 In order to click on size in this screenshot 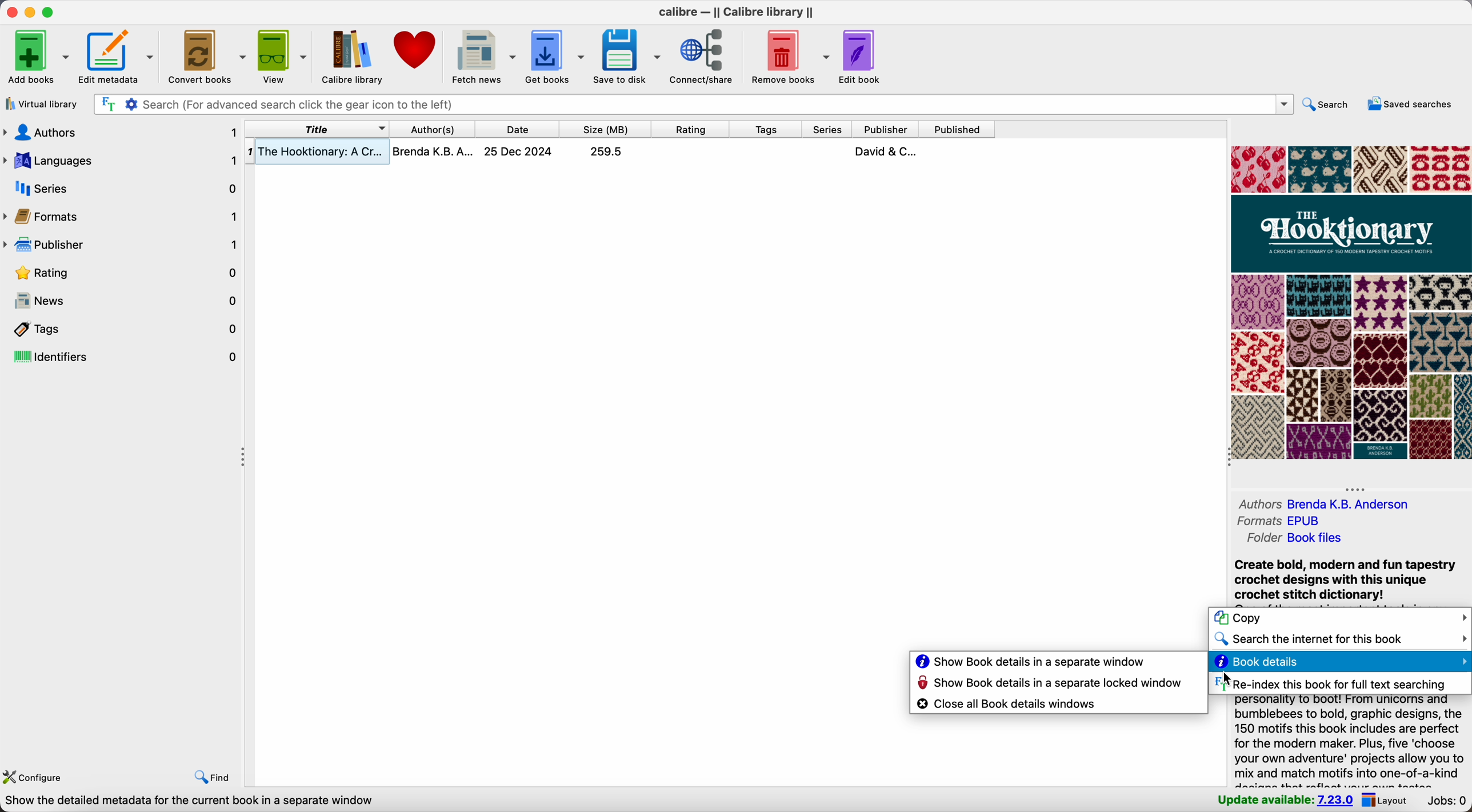, I will do `click(605, 129)`.